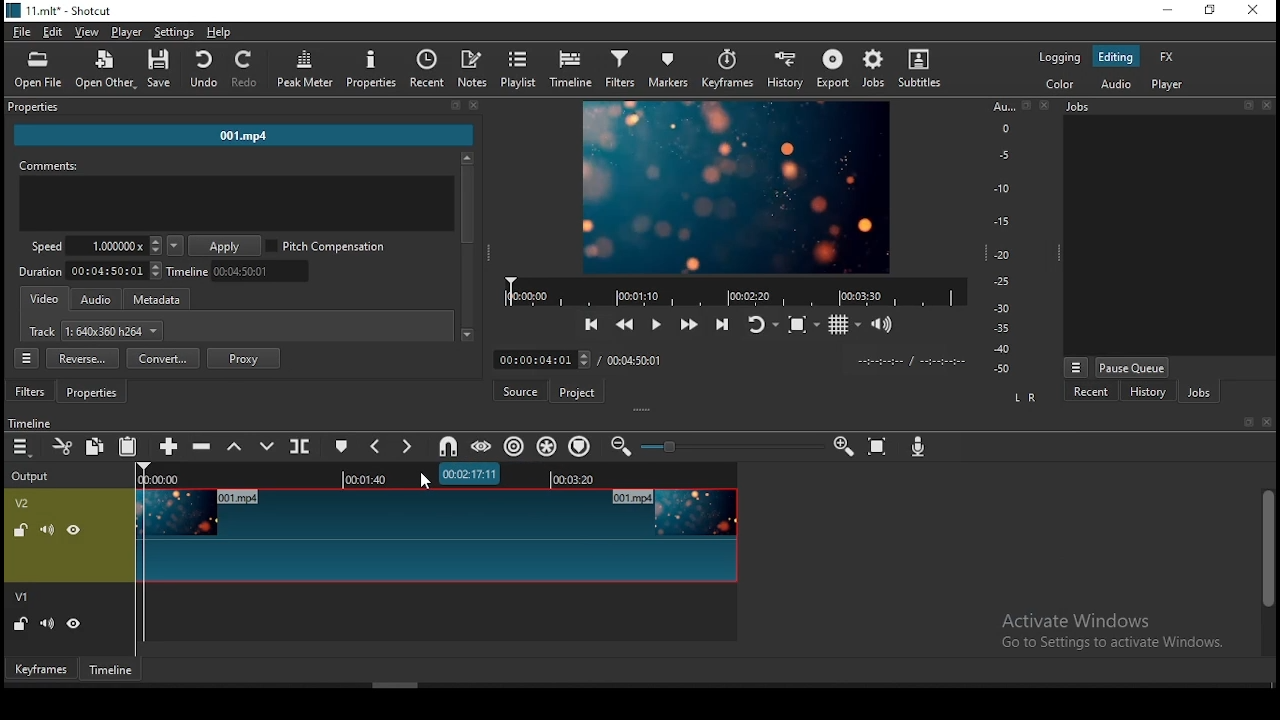  Describe the element at coordinates (879, 443) in the screenshot. I see `zoom timeline to fit` at that location.